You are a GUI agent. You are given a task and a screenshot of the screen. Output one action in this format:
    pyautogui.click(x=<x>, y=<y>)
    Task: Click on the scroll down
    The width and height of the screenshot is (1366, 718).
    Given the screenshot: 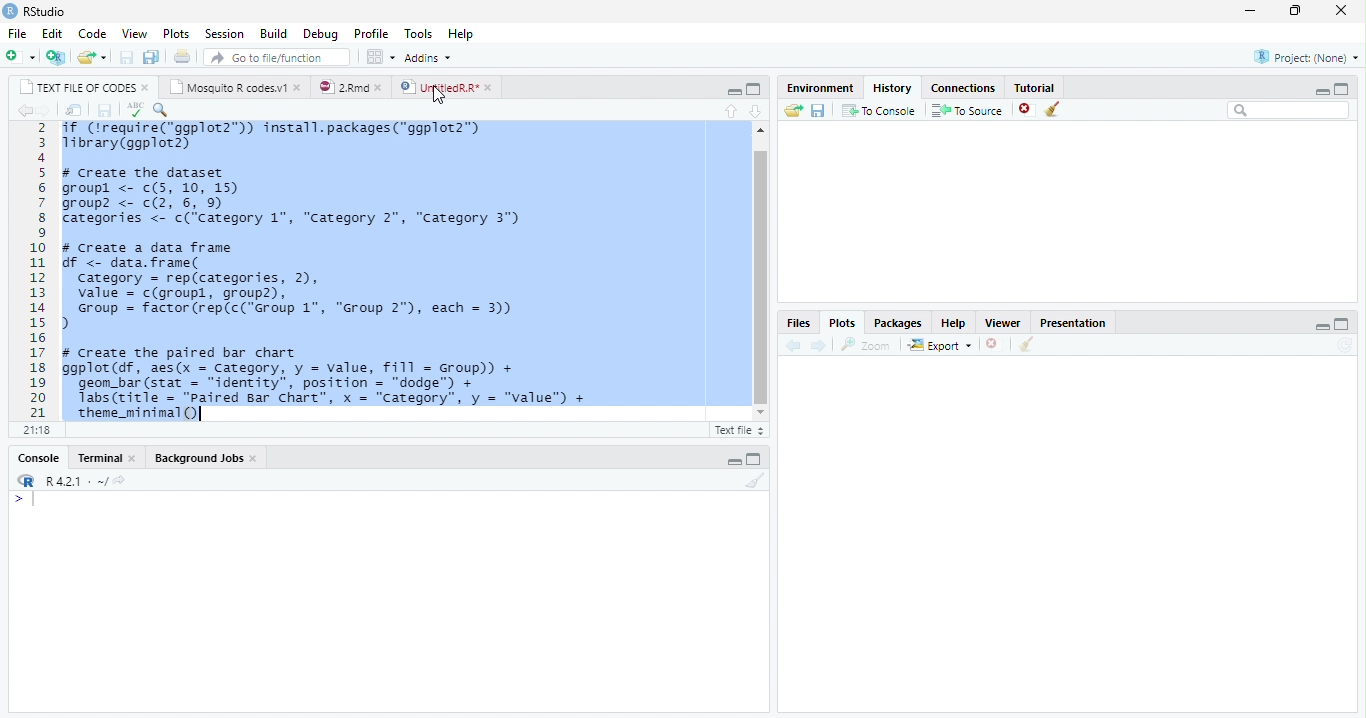 What is the action you would take?
    pyautogui.click(x=762, y=413)
    